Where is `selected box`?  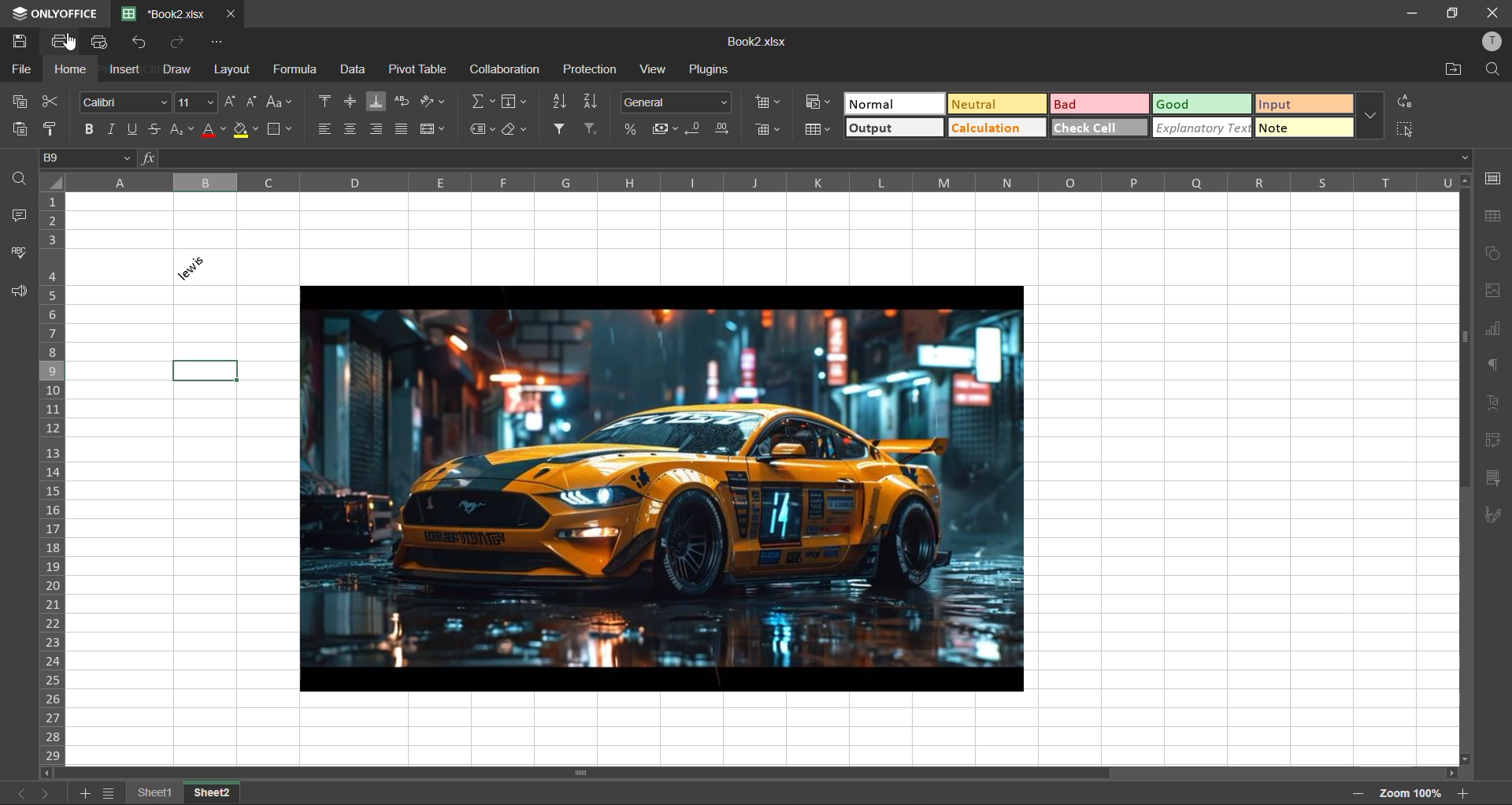
selected box is located at coordinates (206, 370).